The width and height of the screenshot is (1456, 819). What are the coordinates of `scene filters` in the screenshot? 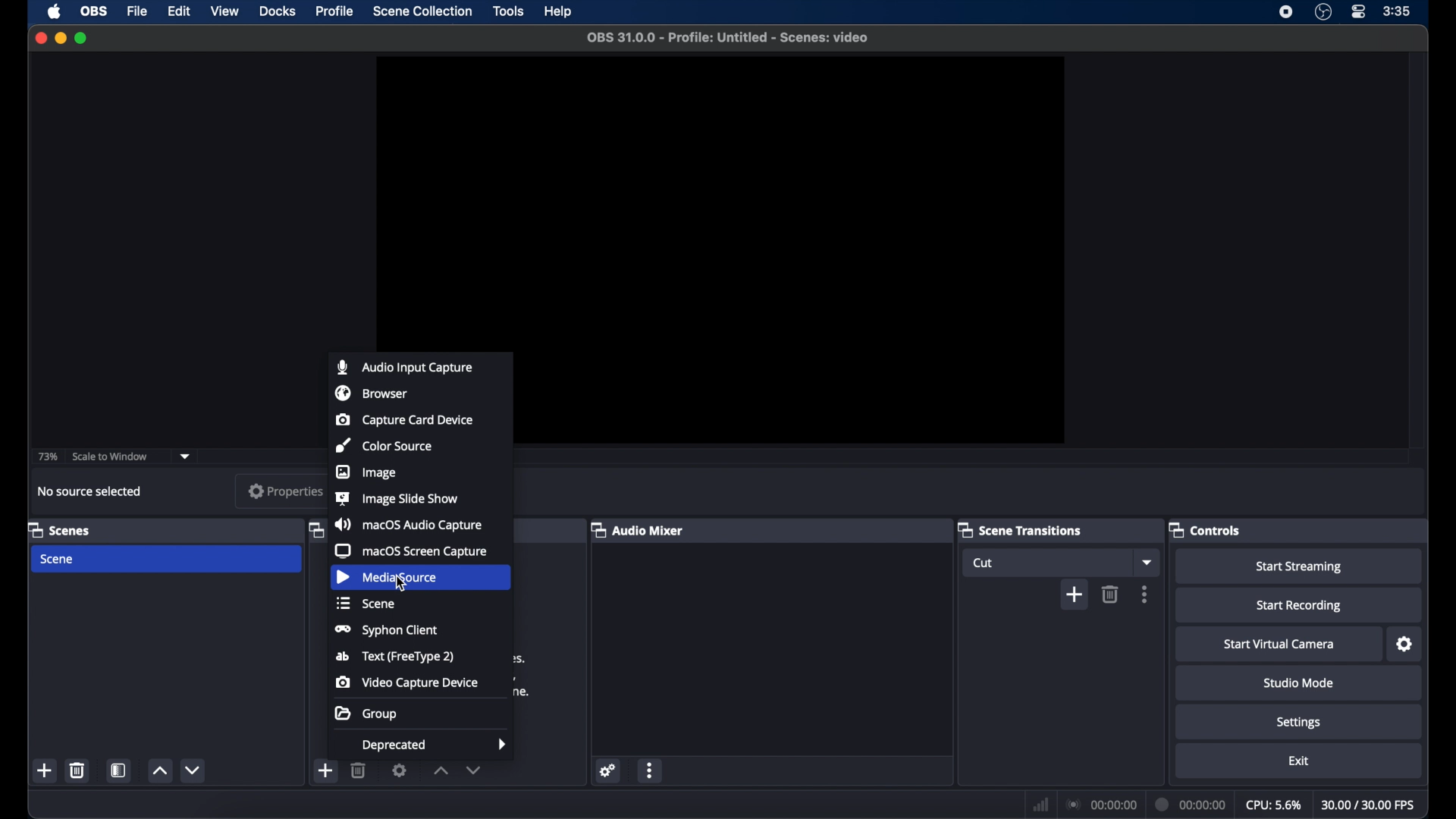 It's located at (118, 770).